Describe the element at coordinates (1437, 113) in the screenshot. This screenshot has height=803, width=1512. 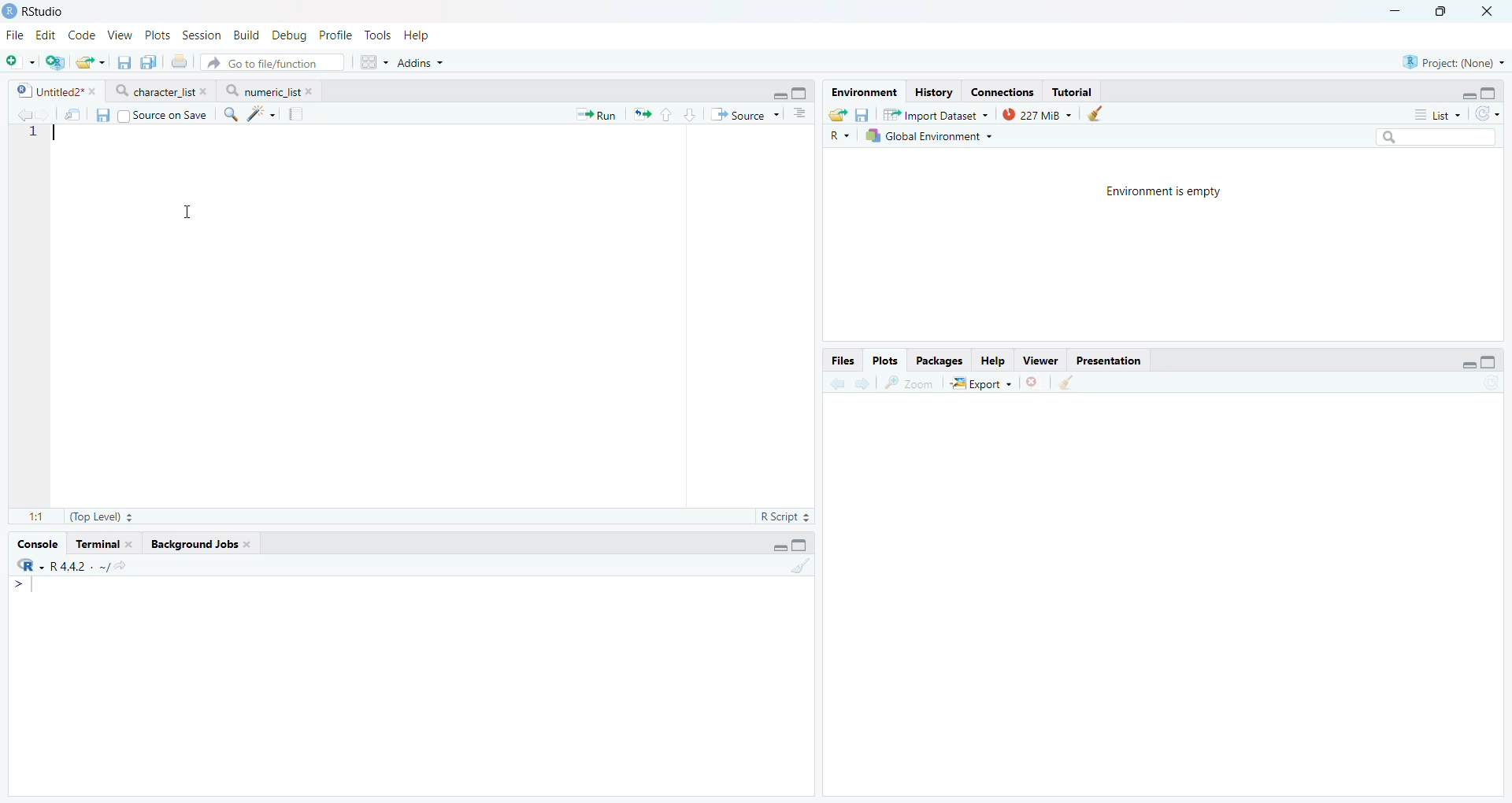
I see `List` at that location.